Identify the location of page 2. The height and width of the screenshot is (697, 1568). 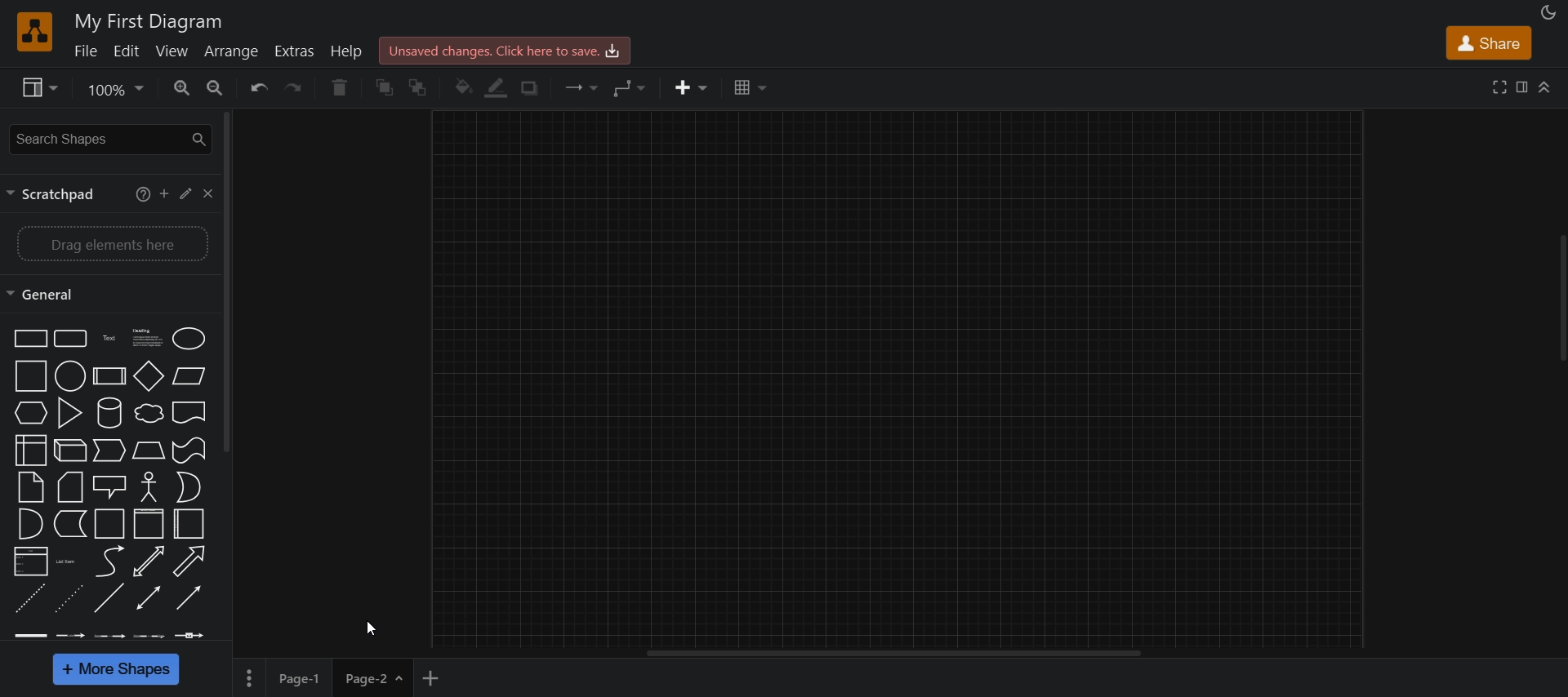
(375, 681).